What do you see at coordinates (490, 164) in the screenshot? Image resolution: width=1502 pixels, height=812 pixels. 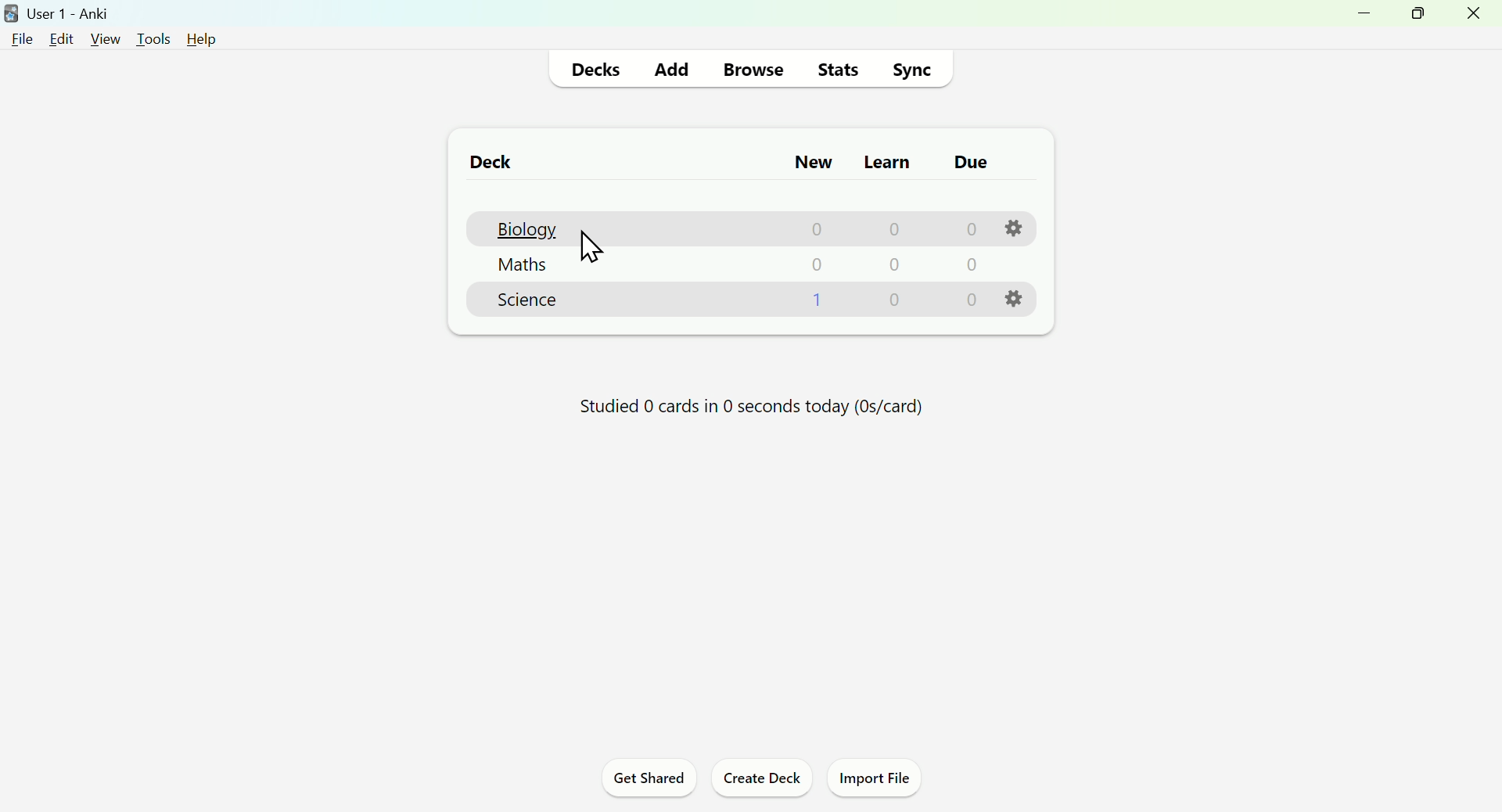 I see `Deck` at bounding box center [490, 164].